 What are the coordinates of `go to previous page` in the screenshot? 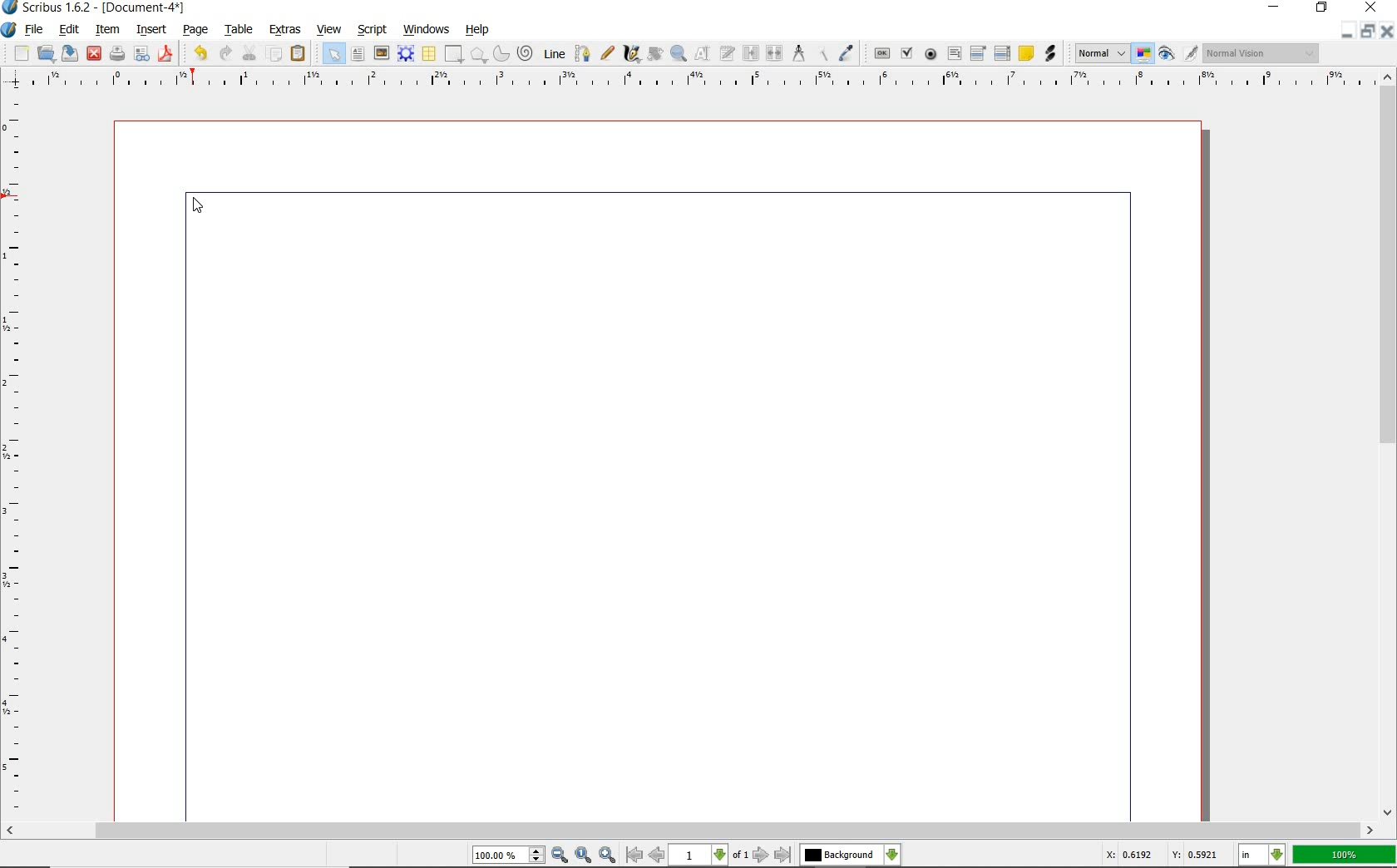 It's located at (658, 856).